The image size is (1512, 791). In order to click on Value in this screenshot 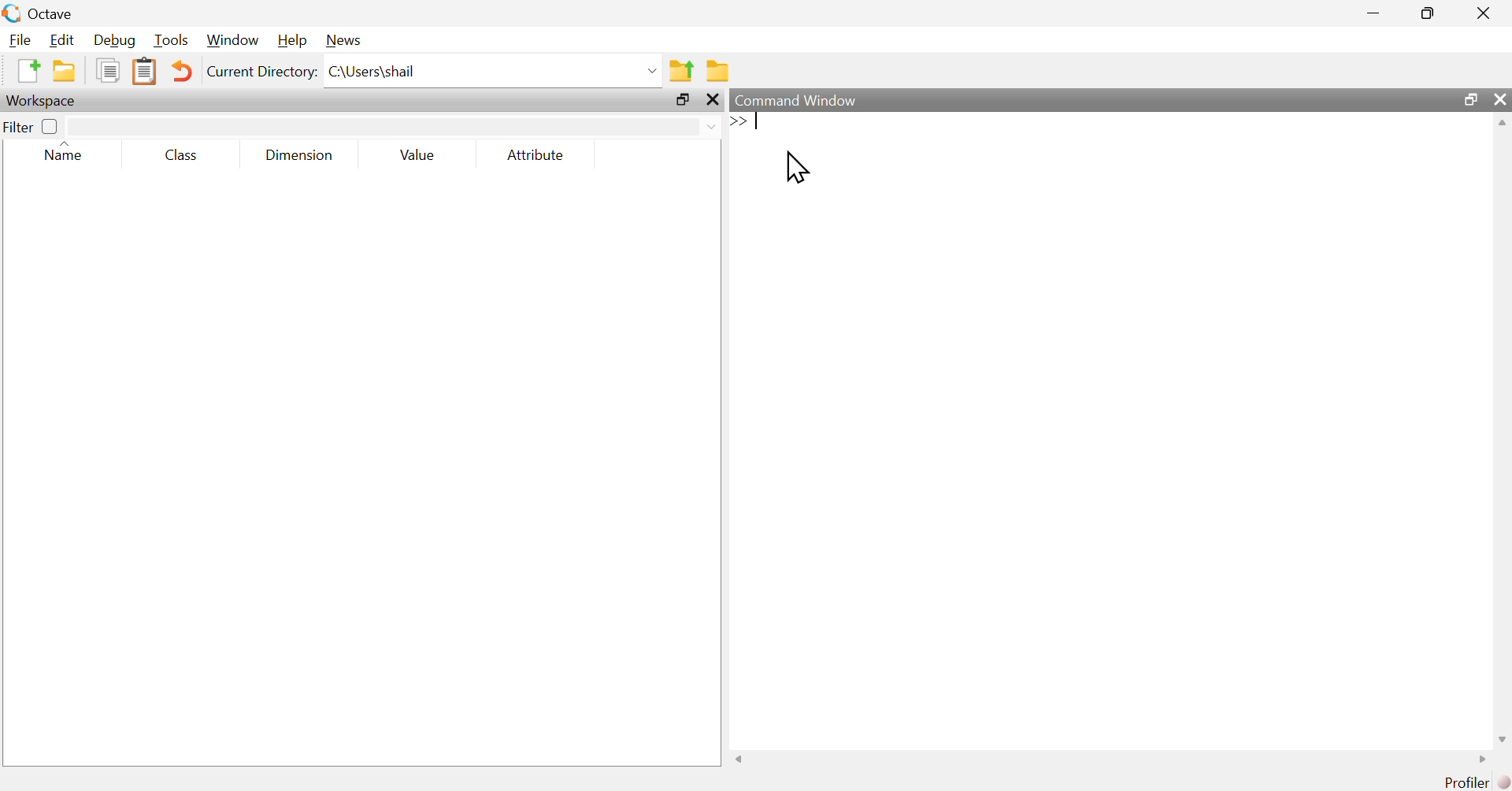, I will do `click(419, 157)`.